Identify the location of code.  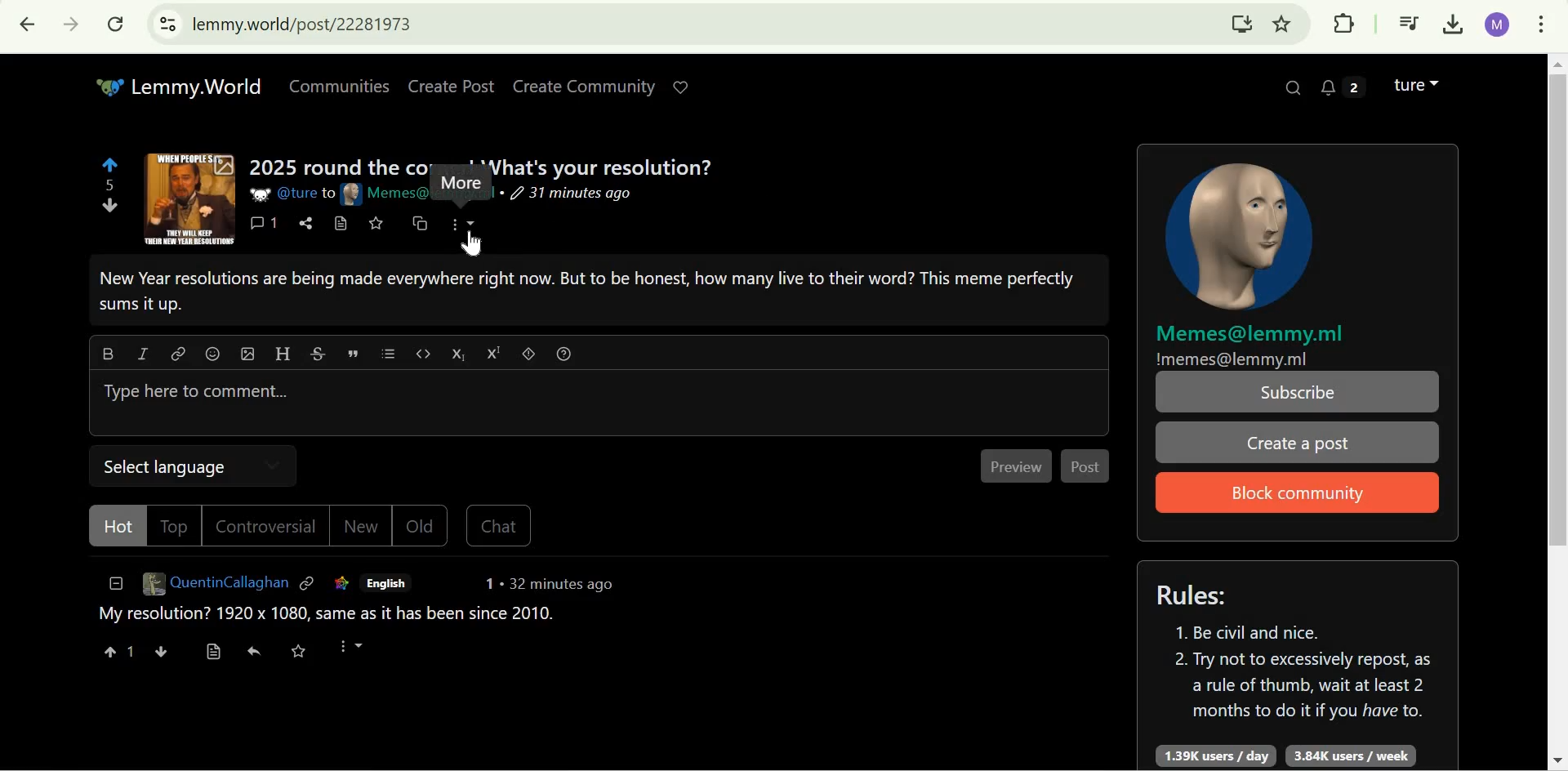
(424, 353).